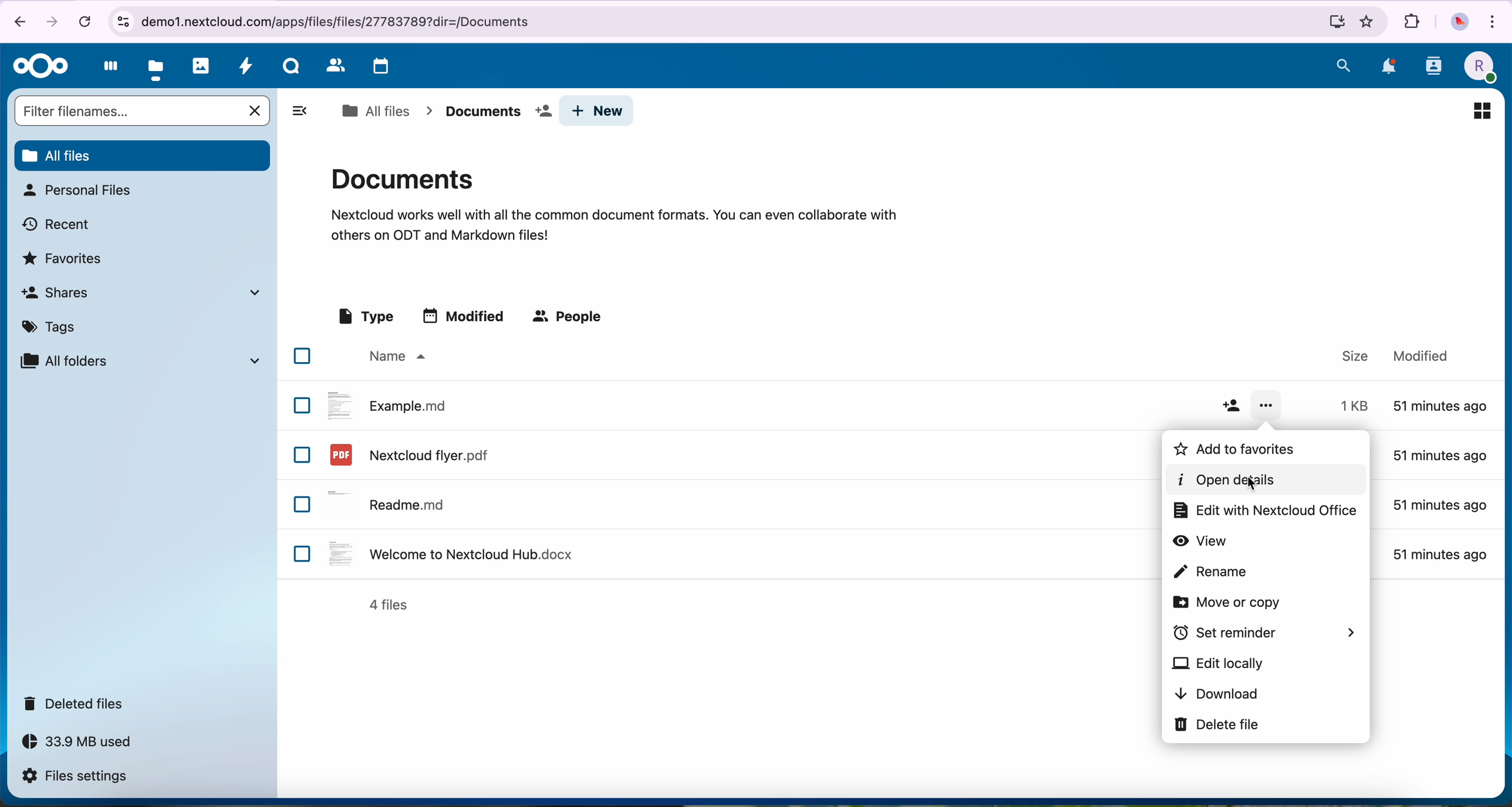 This screenshot has width=1512, height=807. Describe the element at coordinates (395, 357) in the screenshot. I see `name` at that location.